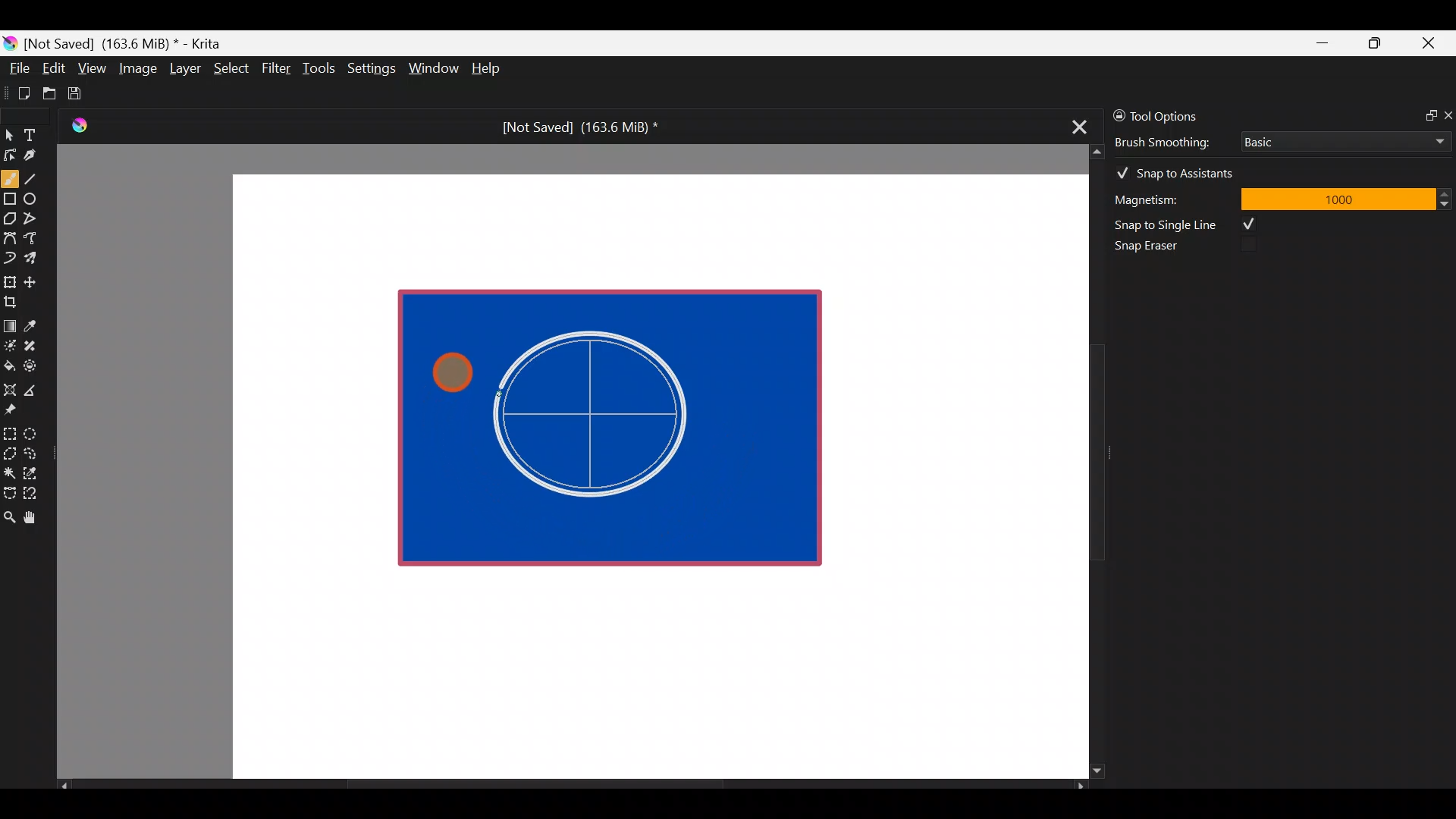 The width and height of the screenshot is (1456, 819). Describe the element at coordinates (10, 154) in the screenshot. I see `Edit shapes tool` at that location.